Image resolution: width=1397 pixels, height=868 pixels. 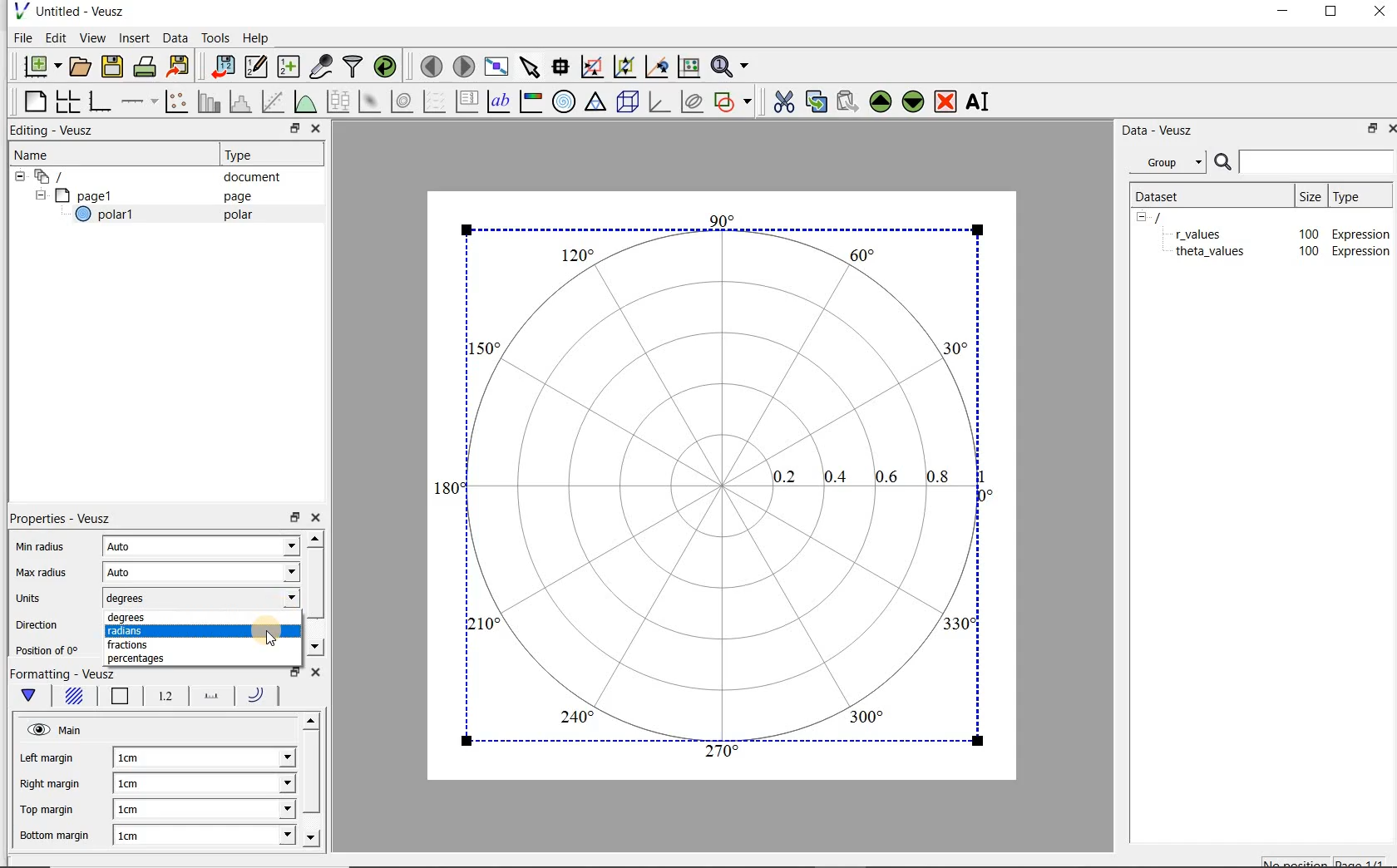 I want to click on polar graph, so click(x=565, y=101).